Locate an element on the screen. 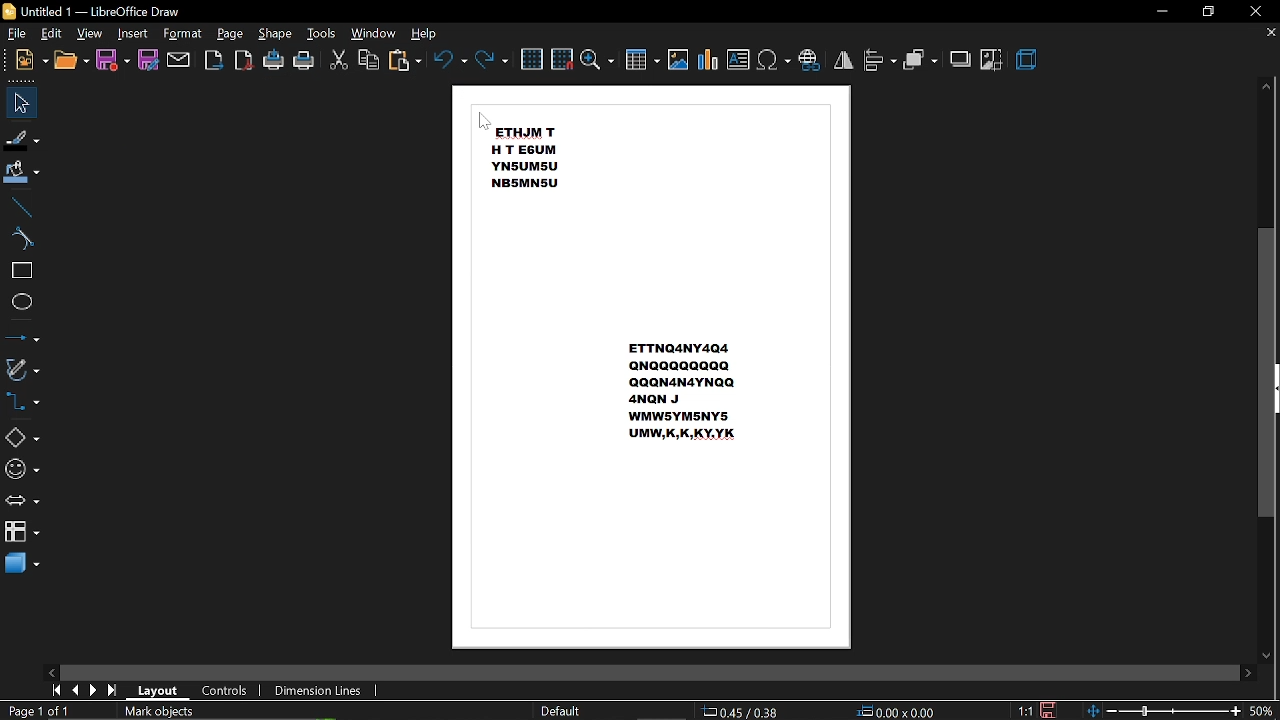 The height and width of the screenshot is (720, 1280). undo is located at coordinates (448, 59).